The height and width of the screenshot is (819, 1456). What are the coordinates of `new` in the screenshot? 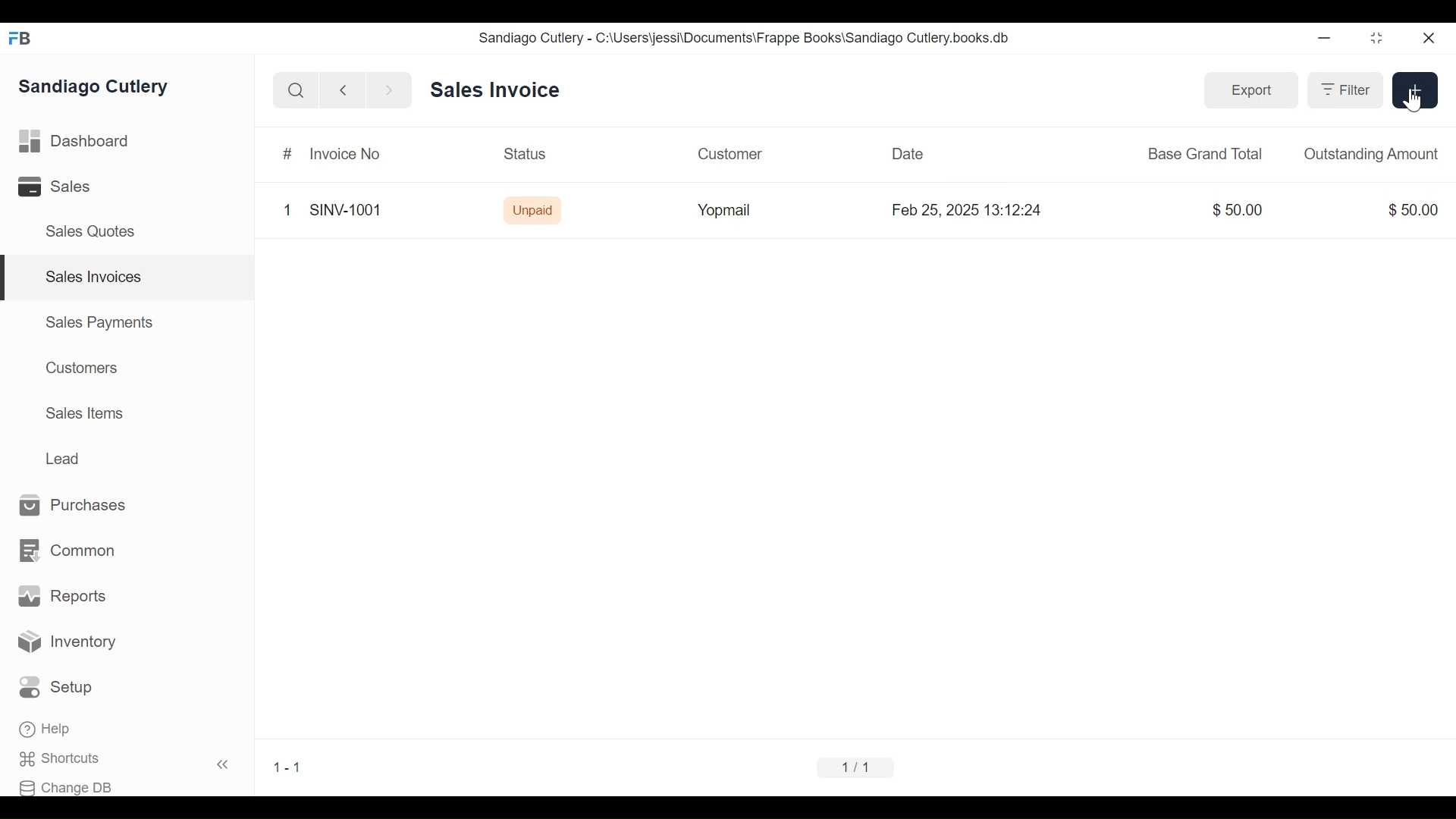 It's located at (1416, 89).